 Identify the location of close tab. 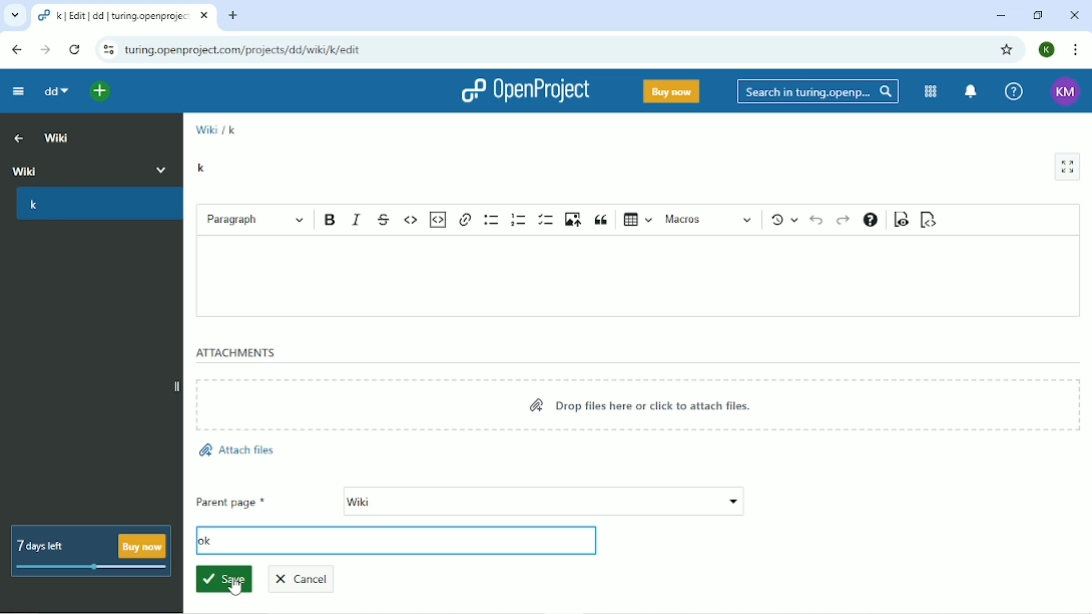
(206, 18).